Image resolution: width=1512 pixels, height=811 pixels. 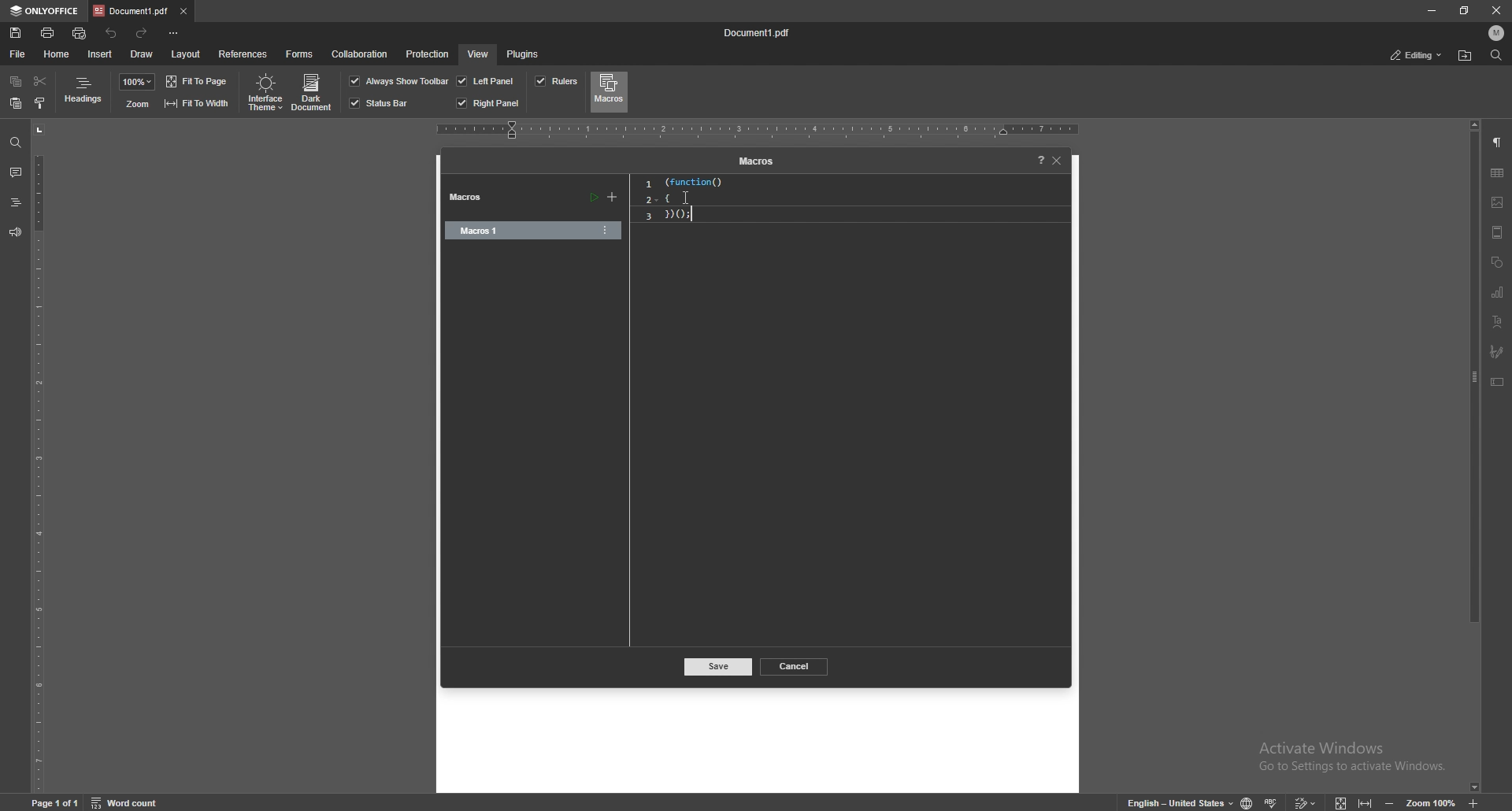 I want to click on profile, so click(x=1497, y=33).